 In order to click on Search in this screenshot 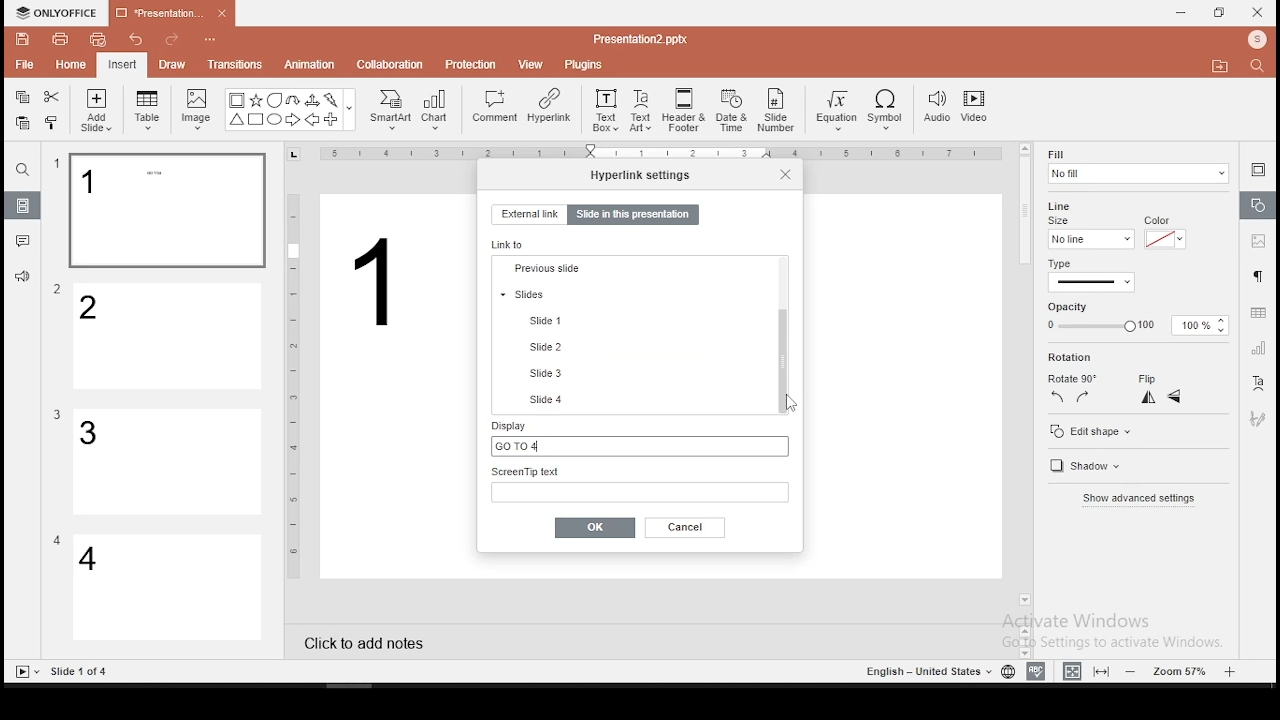, I will do `click(1263, 67)`.